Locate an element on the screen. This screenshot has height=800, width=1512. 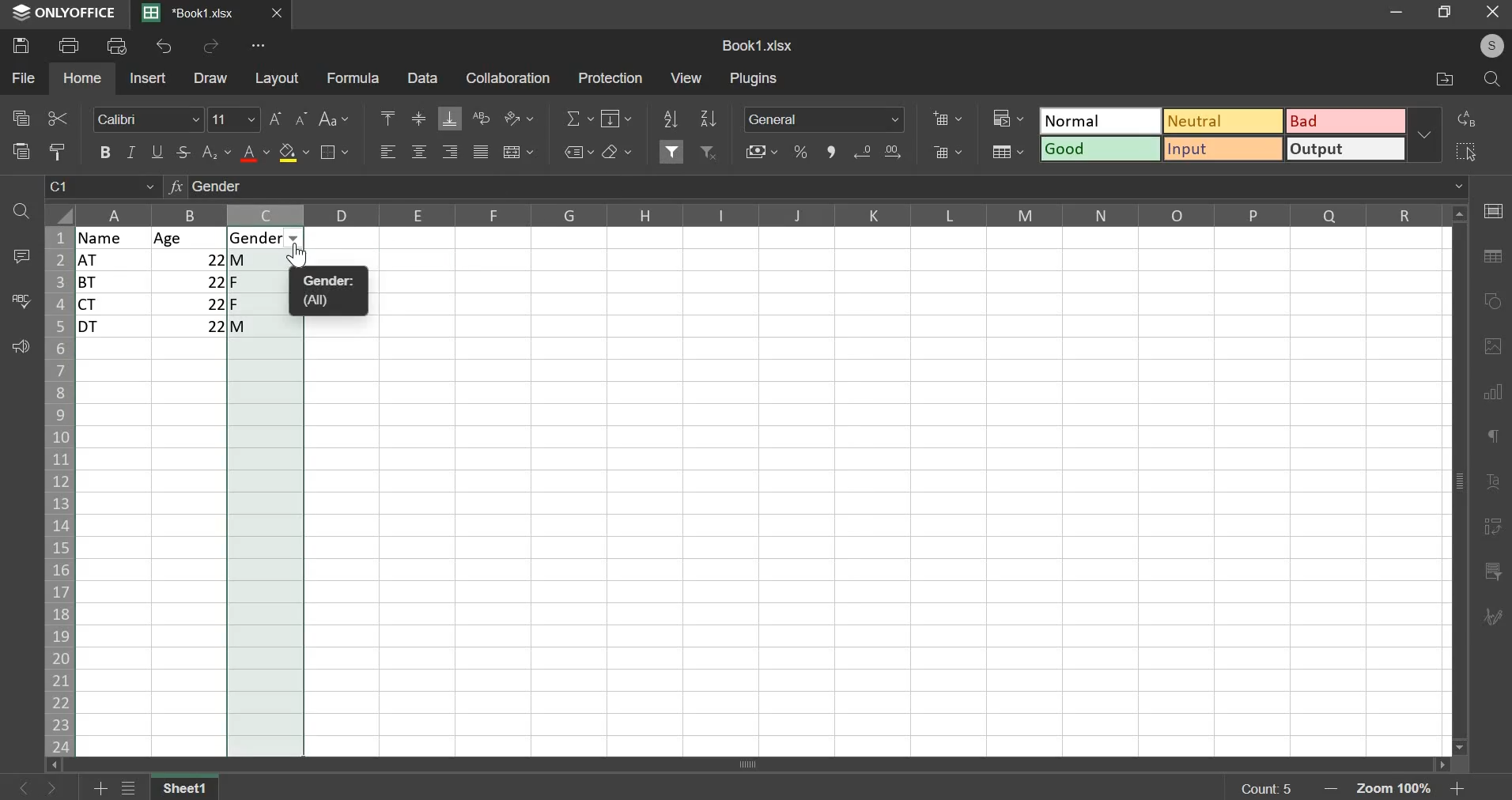
list of sheets is located at coordinates (133, 787).